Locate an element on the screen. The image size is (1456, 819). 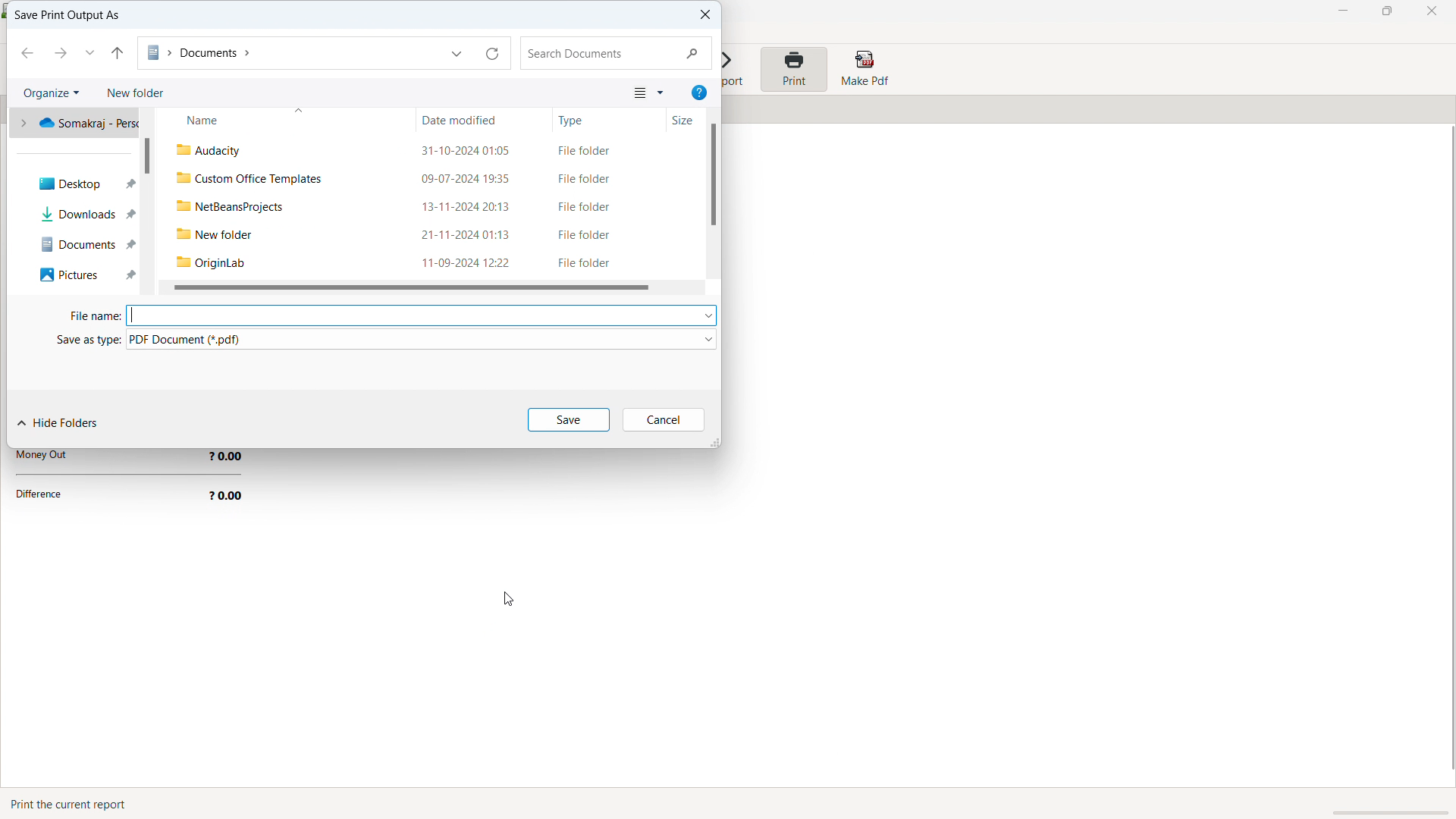
sort by name is located at coordinates (284, 120).